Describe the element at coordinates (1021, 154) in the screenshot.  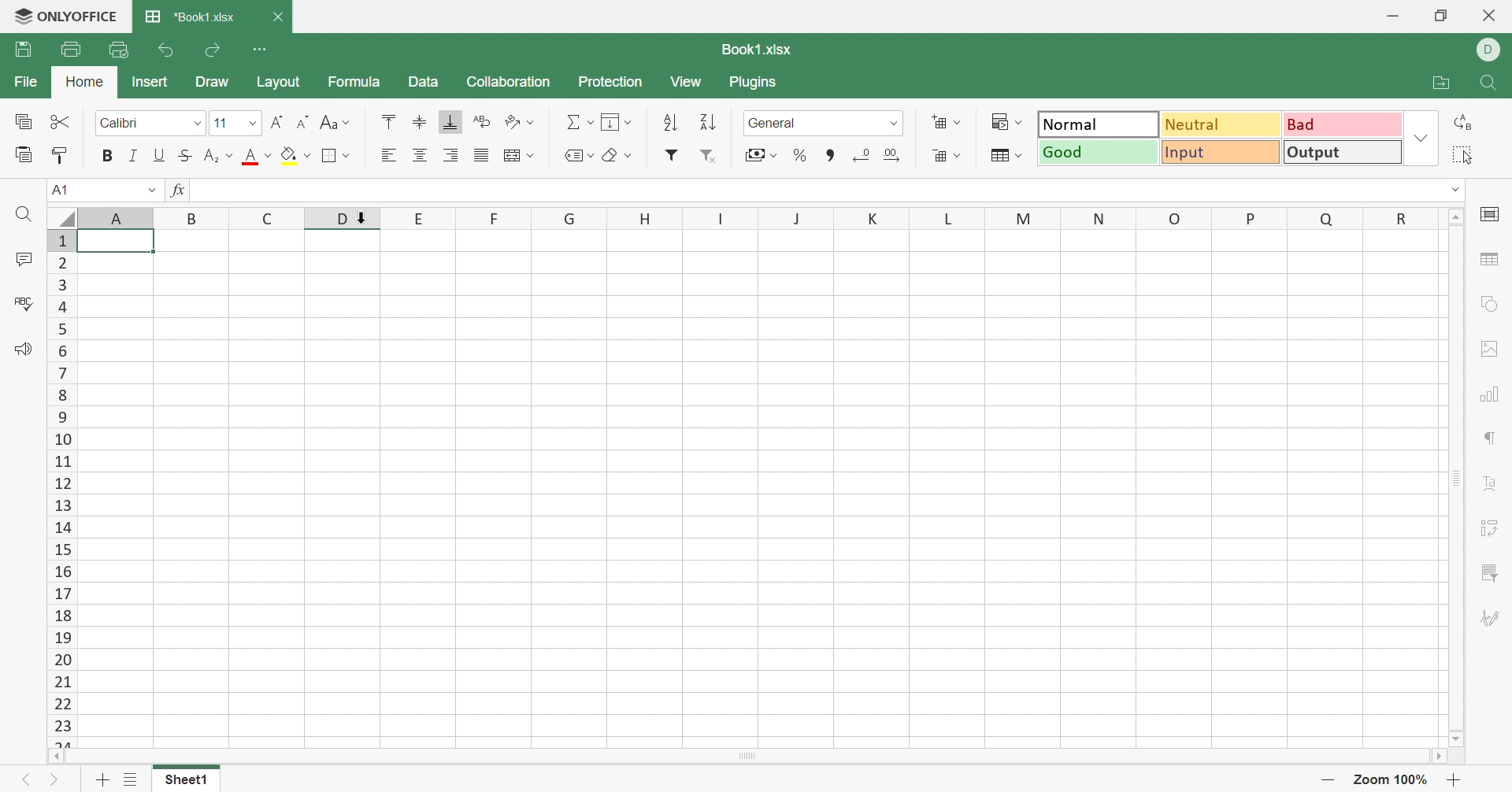
I see `Drop Down` at that location.